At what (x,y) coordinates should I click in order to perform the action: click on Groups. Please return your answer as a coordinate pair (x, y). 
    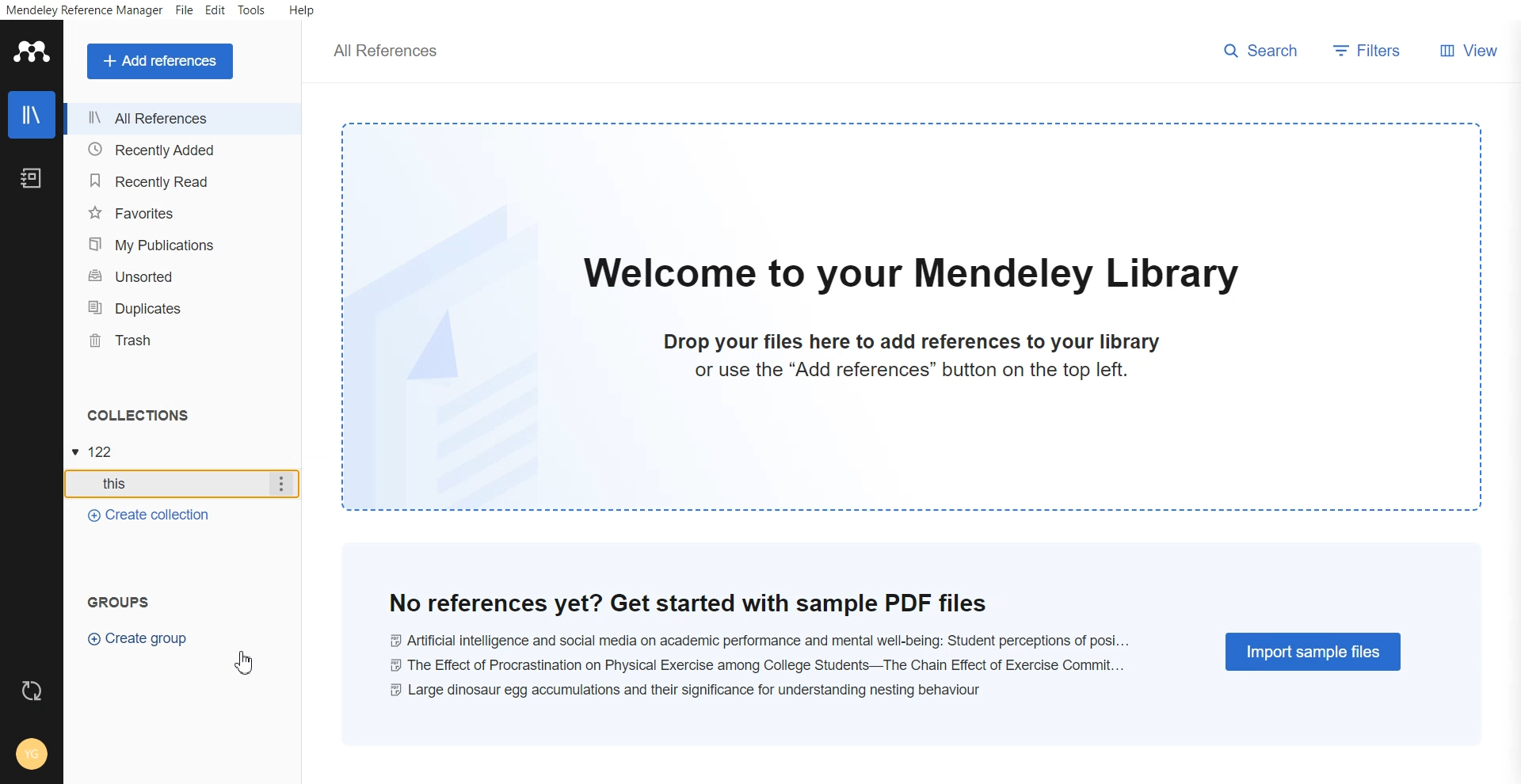
    Looking at the image, I should click on (121, 602).